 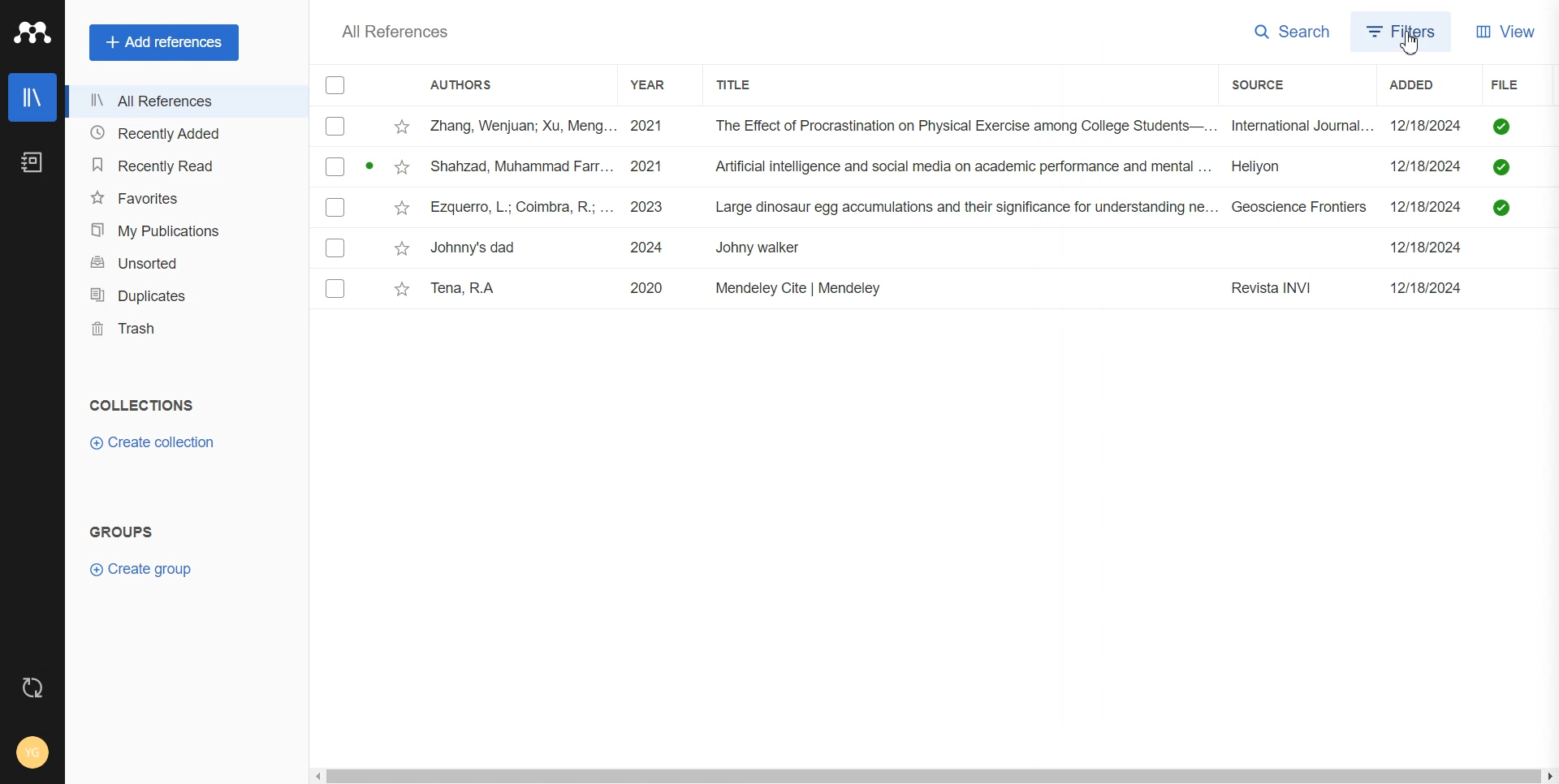 What do you see at coordinates (33, 97) in the screenshot?
I see `Library` at bounding box center [33, 97].